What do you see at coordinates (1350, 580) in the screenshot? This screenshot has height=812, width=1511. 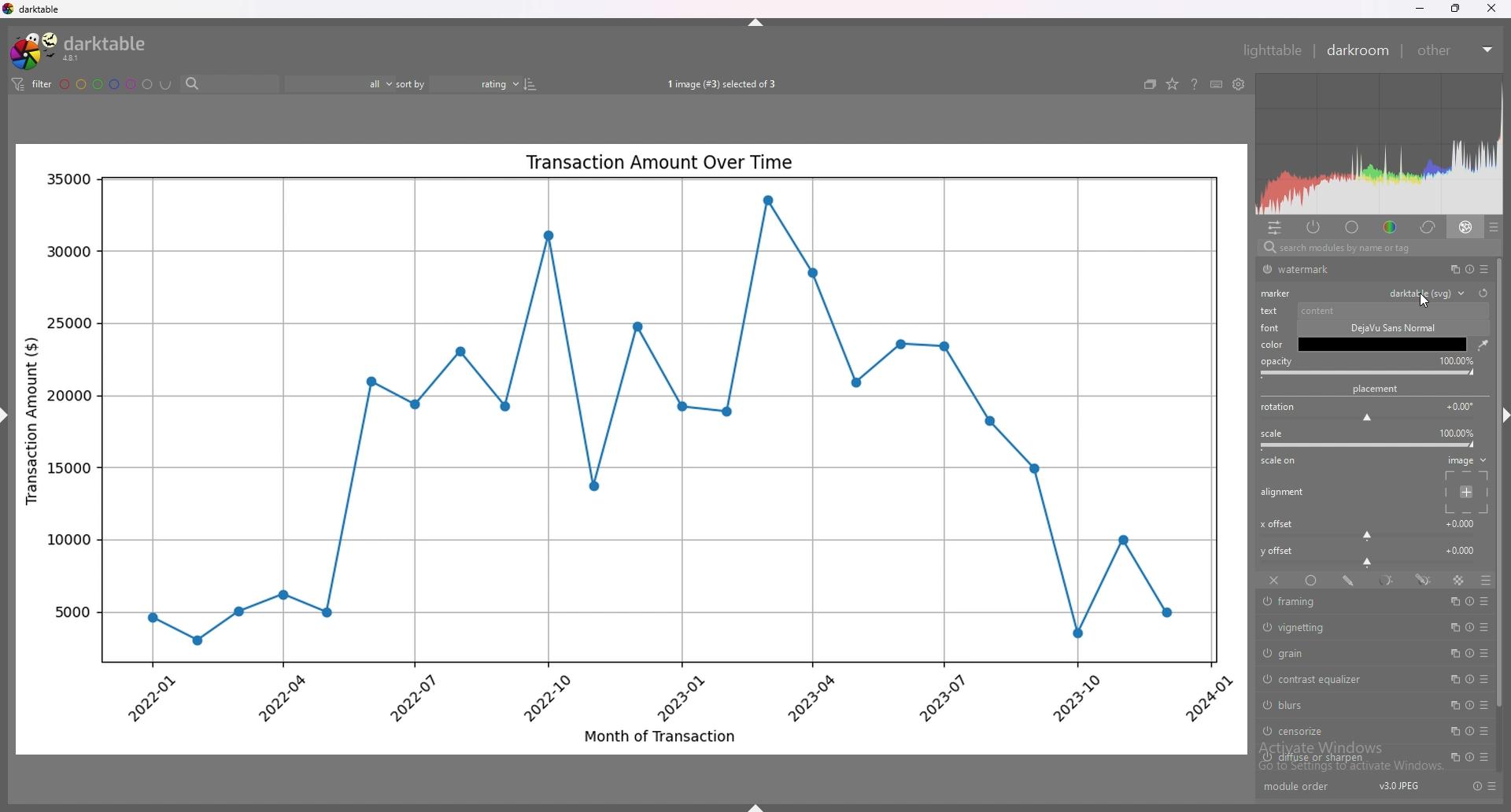 I see `drawn mask` at bounding box center [1350, 580].